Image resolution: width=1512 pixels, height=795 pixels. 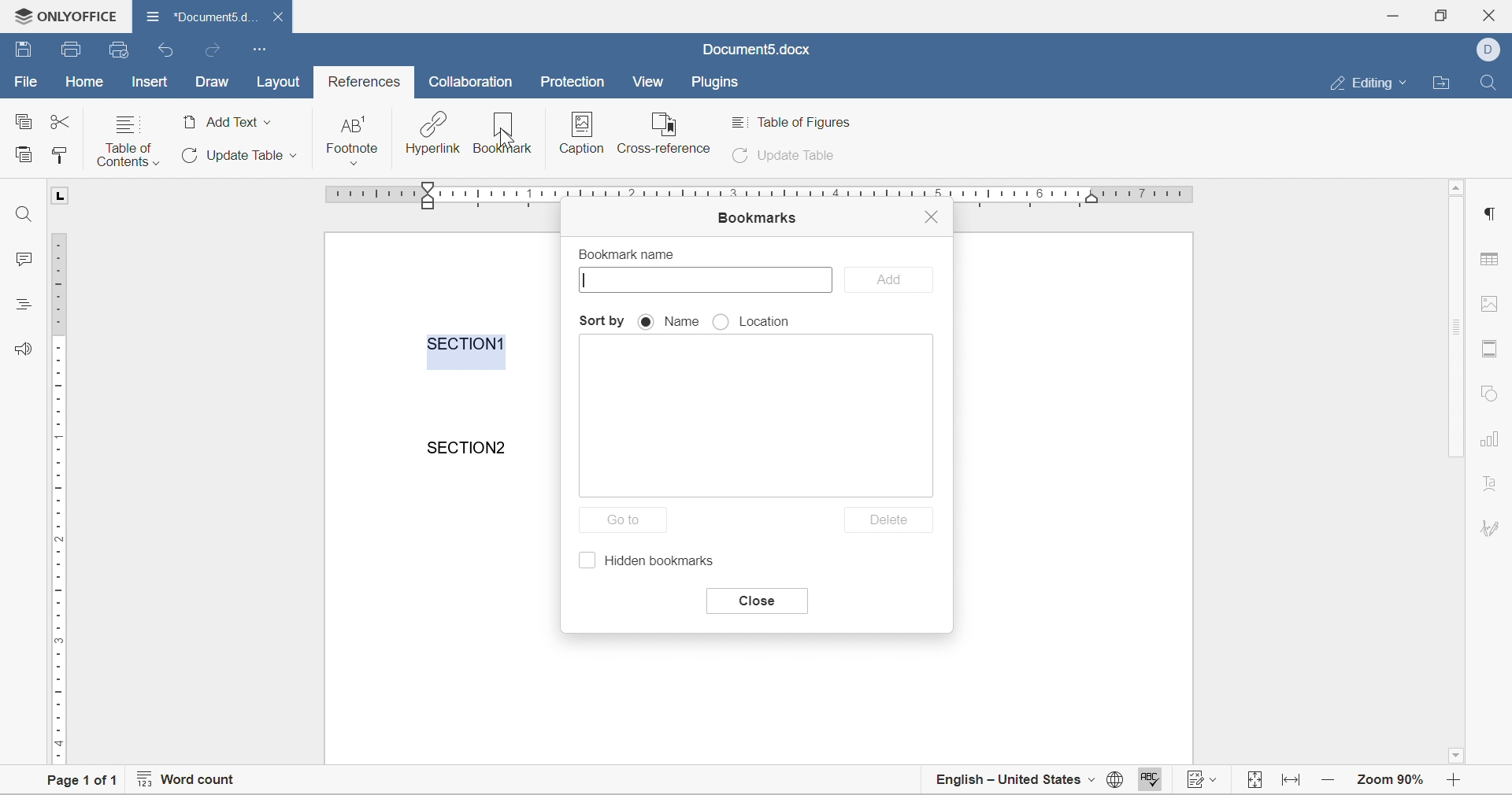 What do you see at coordinates (1373, 83) in the screenshot?
I see `editing` at bounding box center [1373, 83].